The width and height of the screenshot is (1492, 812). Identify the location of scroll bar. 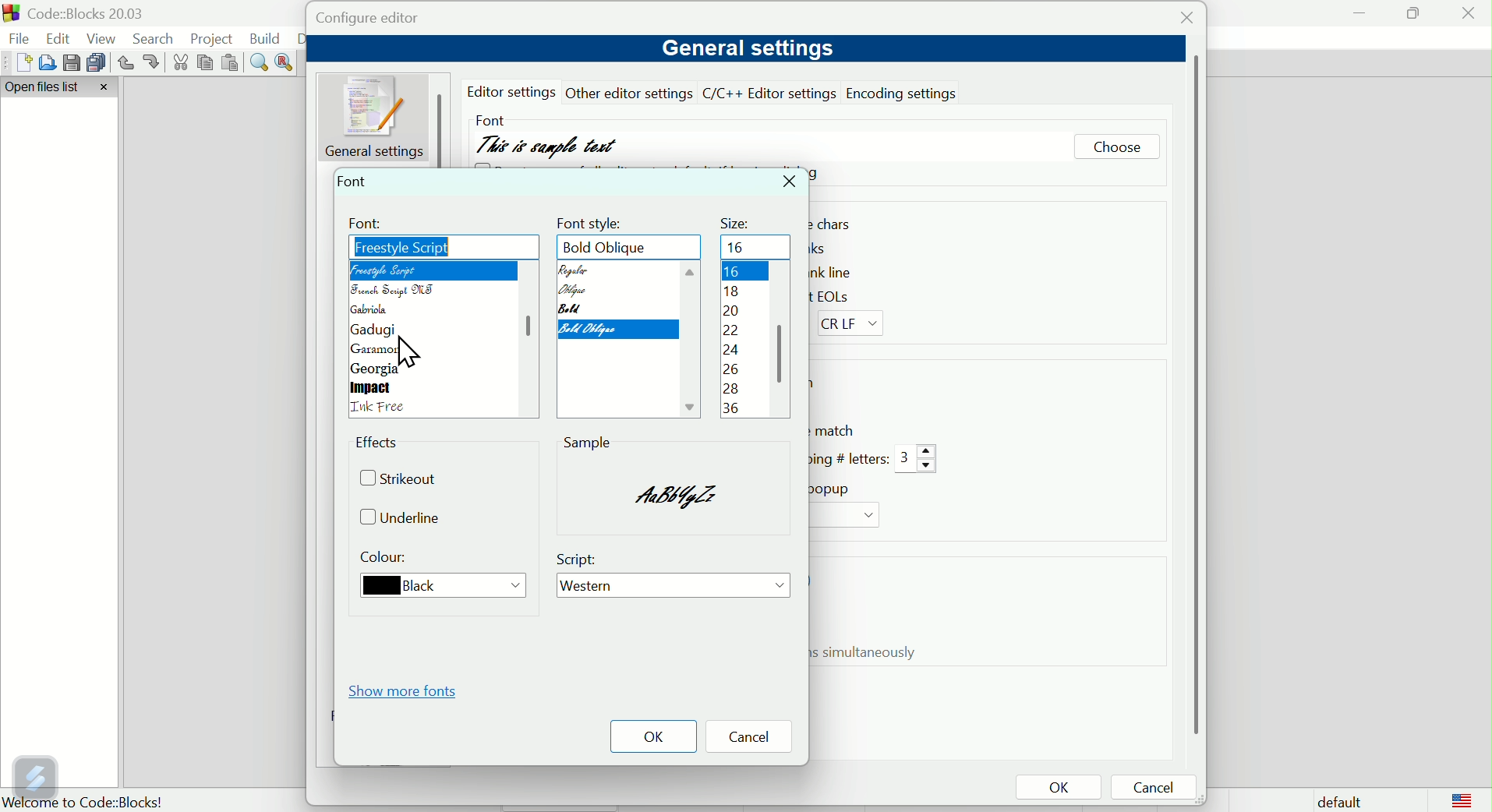
(527, 328).